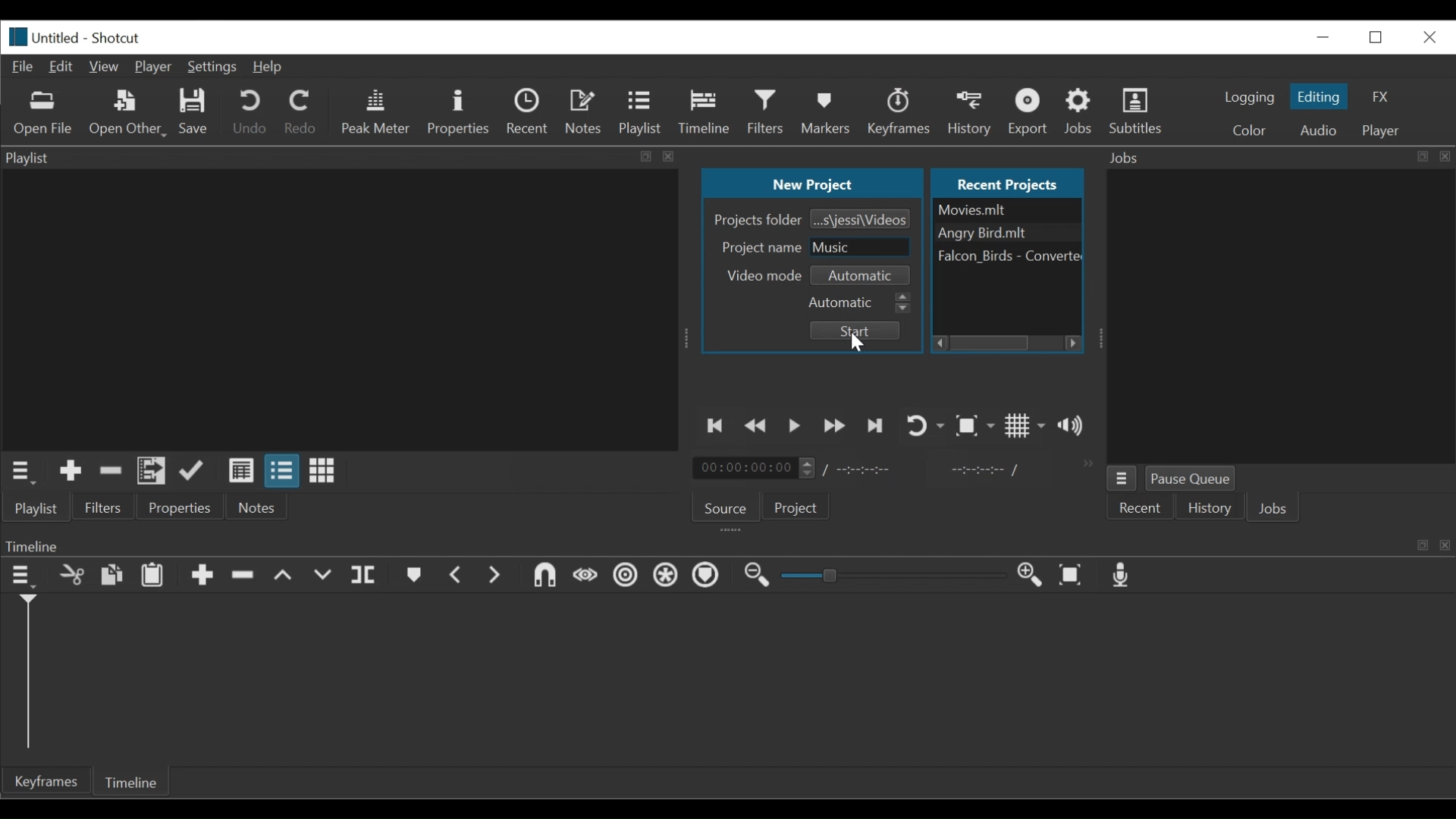  I want to click on Close, so click(1430, 37).